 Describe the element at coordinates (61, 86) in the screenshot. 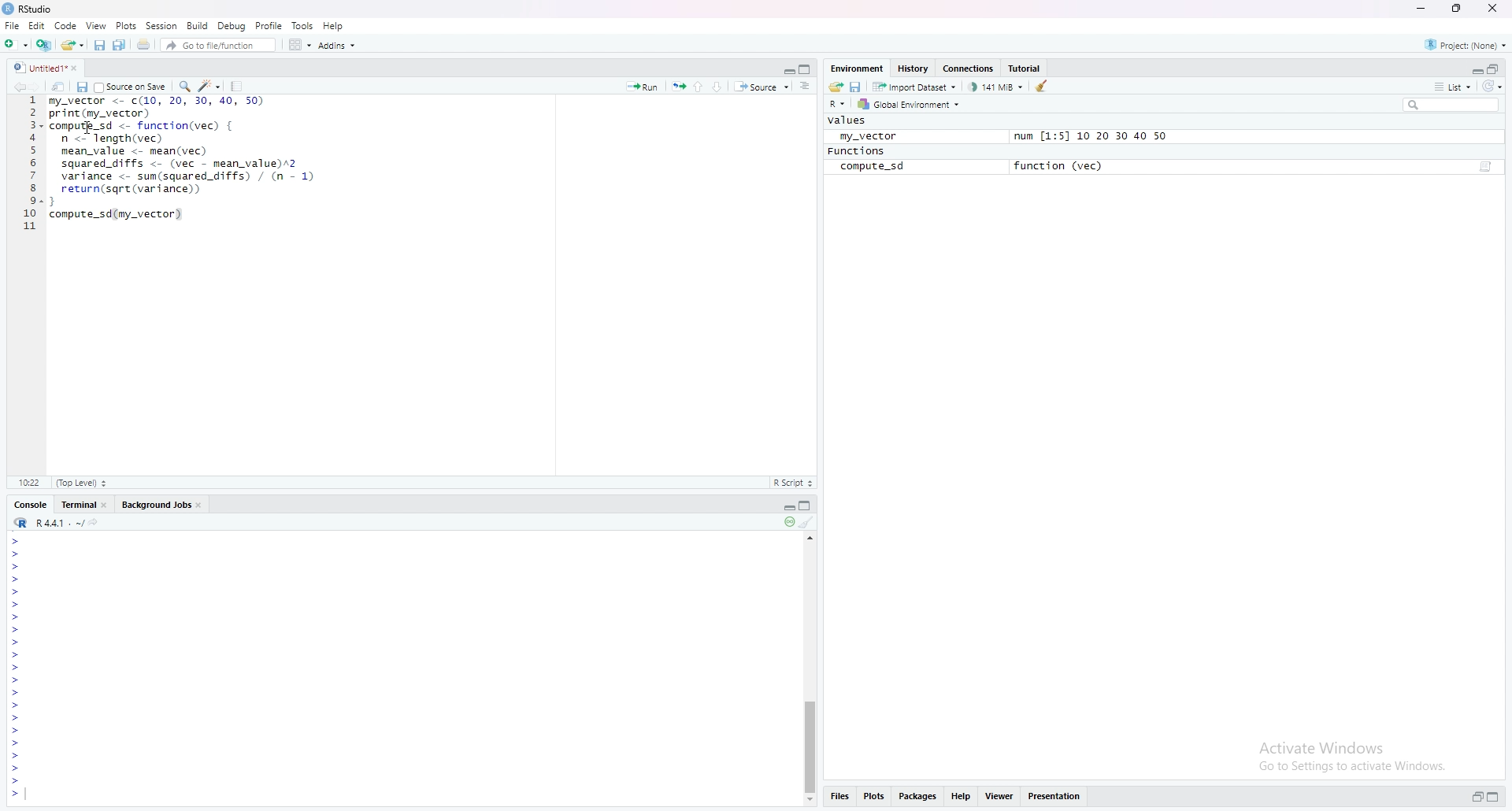

I see `Show in new window` at that location.